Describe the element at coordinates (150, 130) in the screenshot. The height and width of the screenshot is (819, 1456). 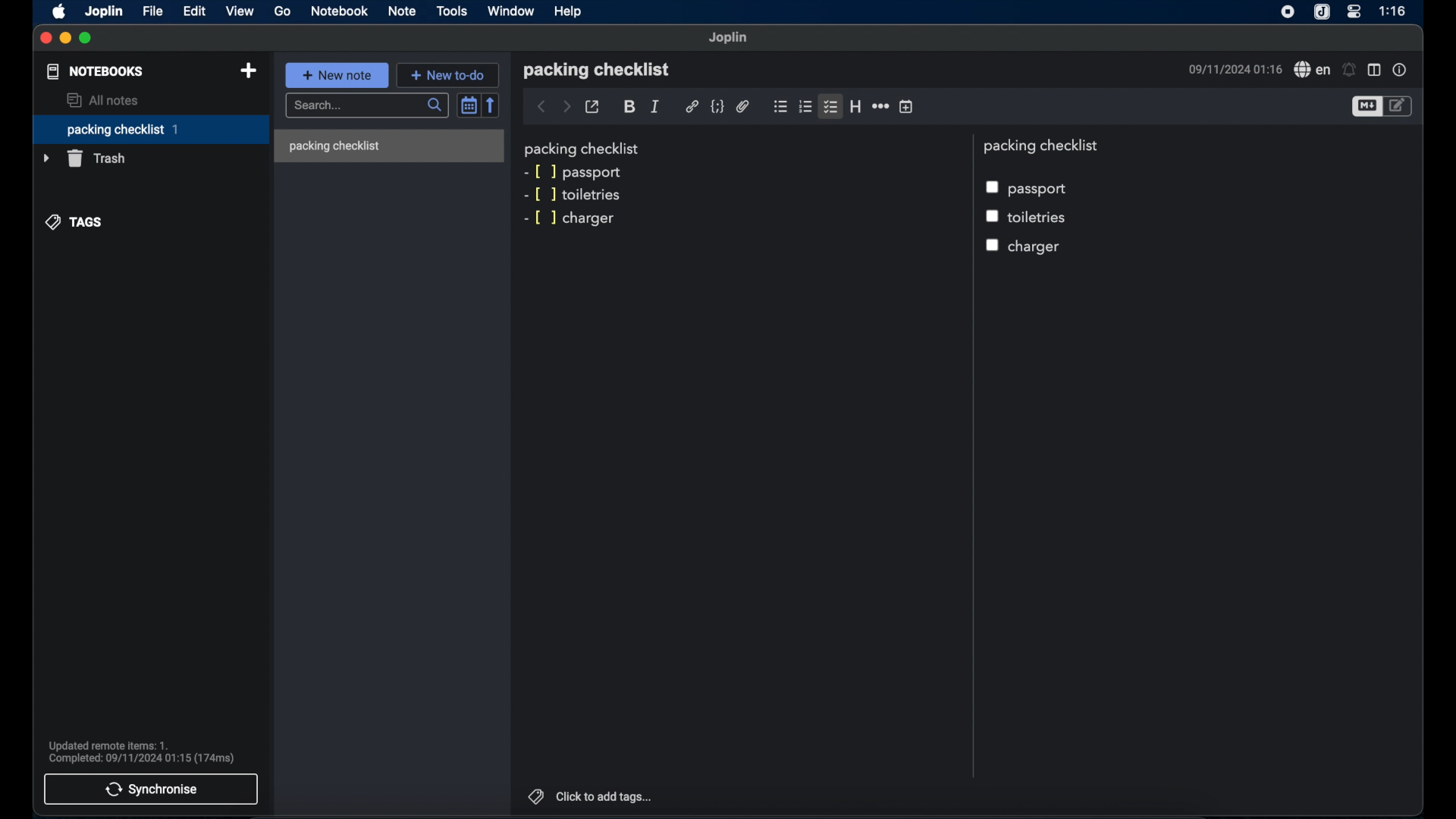
I see `packing checklist` at that location.